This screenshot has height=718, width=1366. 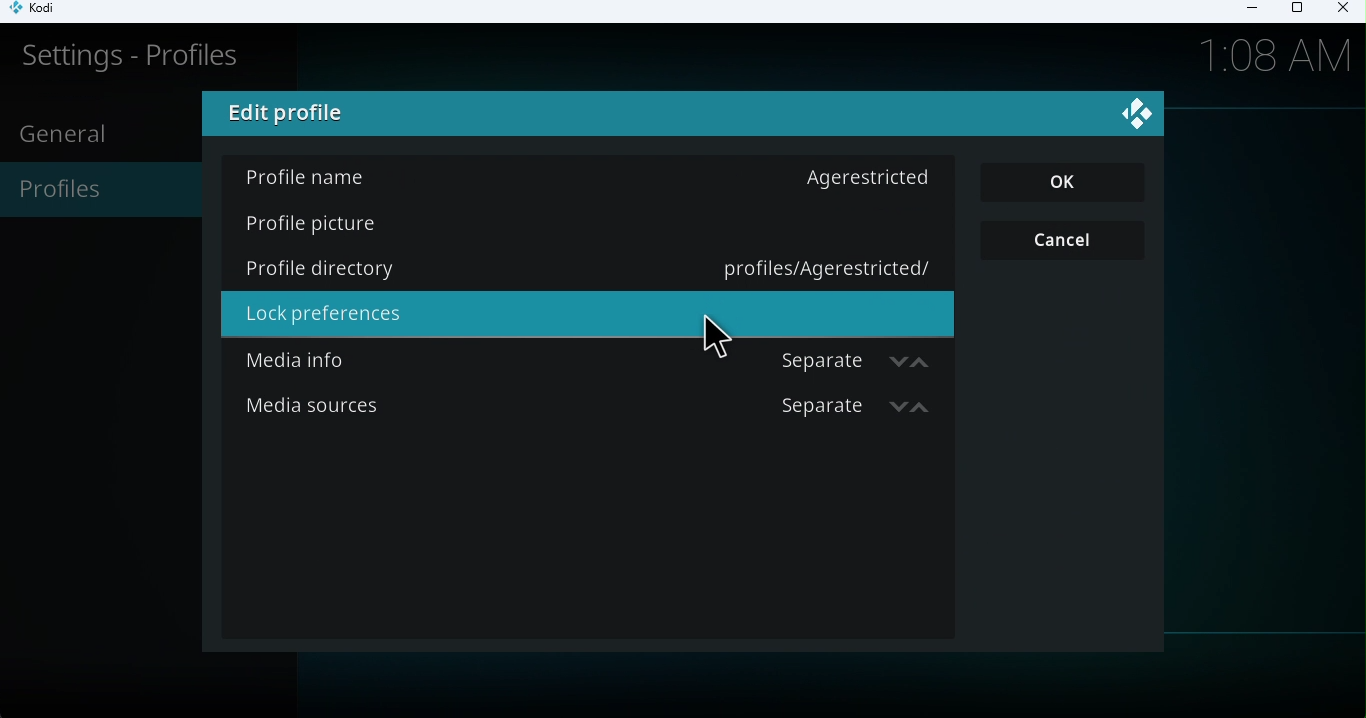 What do you see at coordinates (590, 411) in the screenshot?
I see `Media sources` at bounding box center [590, 411].